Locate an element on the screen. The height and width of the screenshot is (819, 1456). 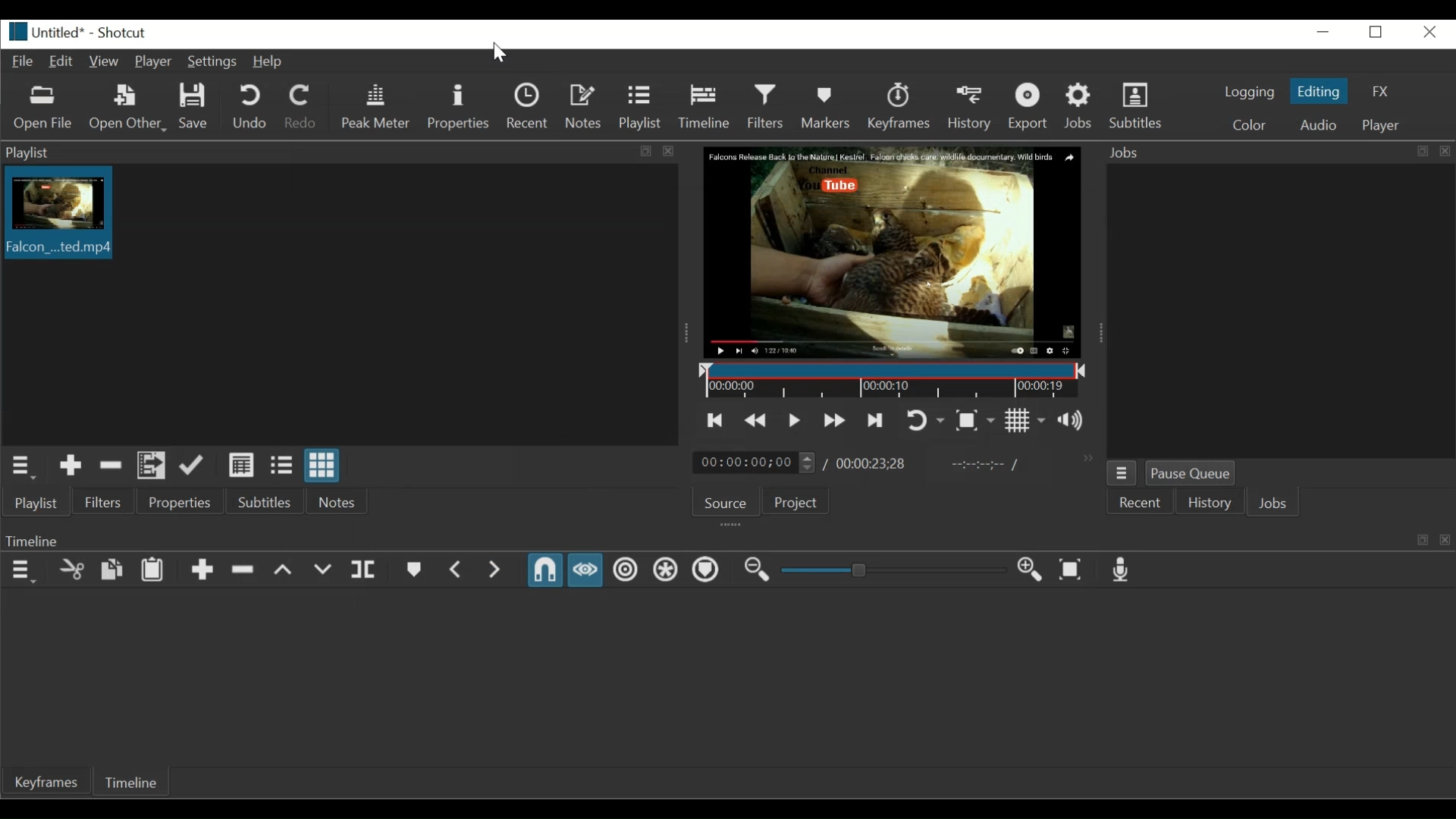
Add files to the playlist is located at coordinates (152, 465).